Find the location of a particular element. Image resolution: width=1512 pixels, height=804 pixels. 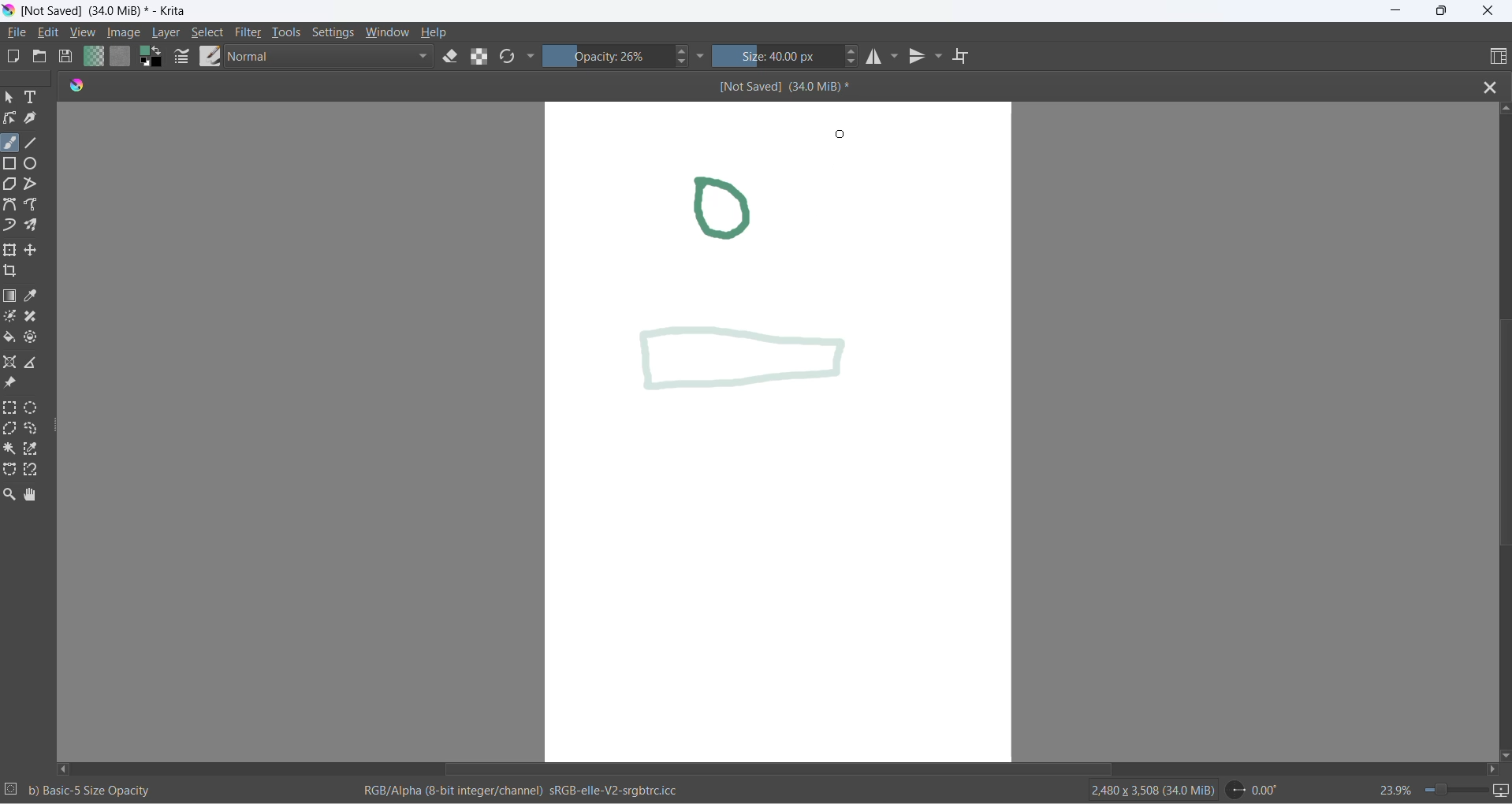

fill color is located at coordinates (12, 340).